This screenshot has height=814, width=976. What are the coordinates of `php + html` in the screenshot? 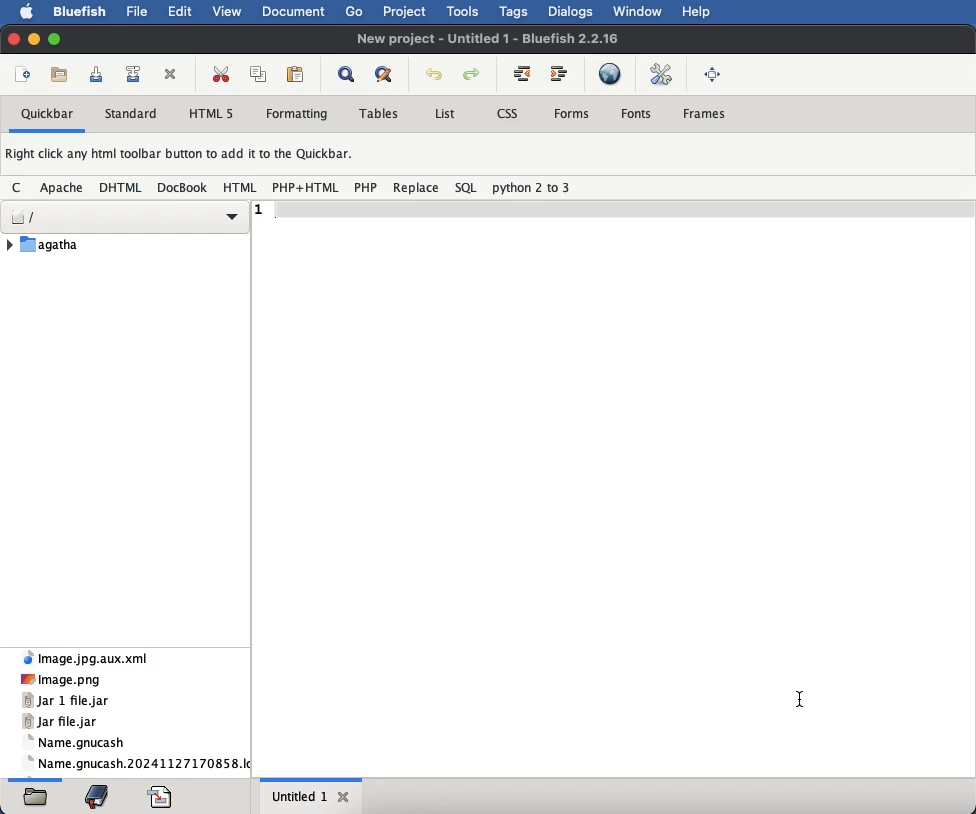 It's located at (306, 187).